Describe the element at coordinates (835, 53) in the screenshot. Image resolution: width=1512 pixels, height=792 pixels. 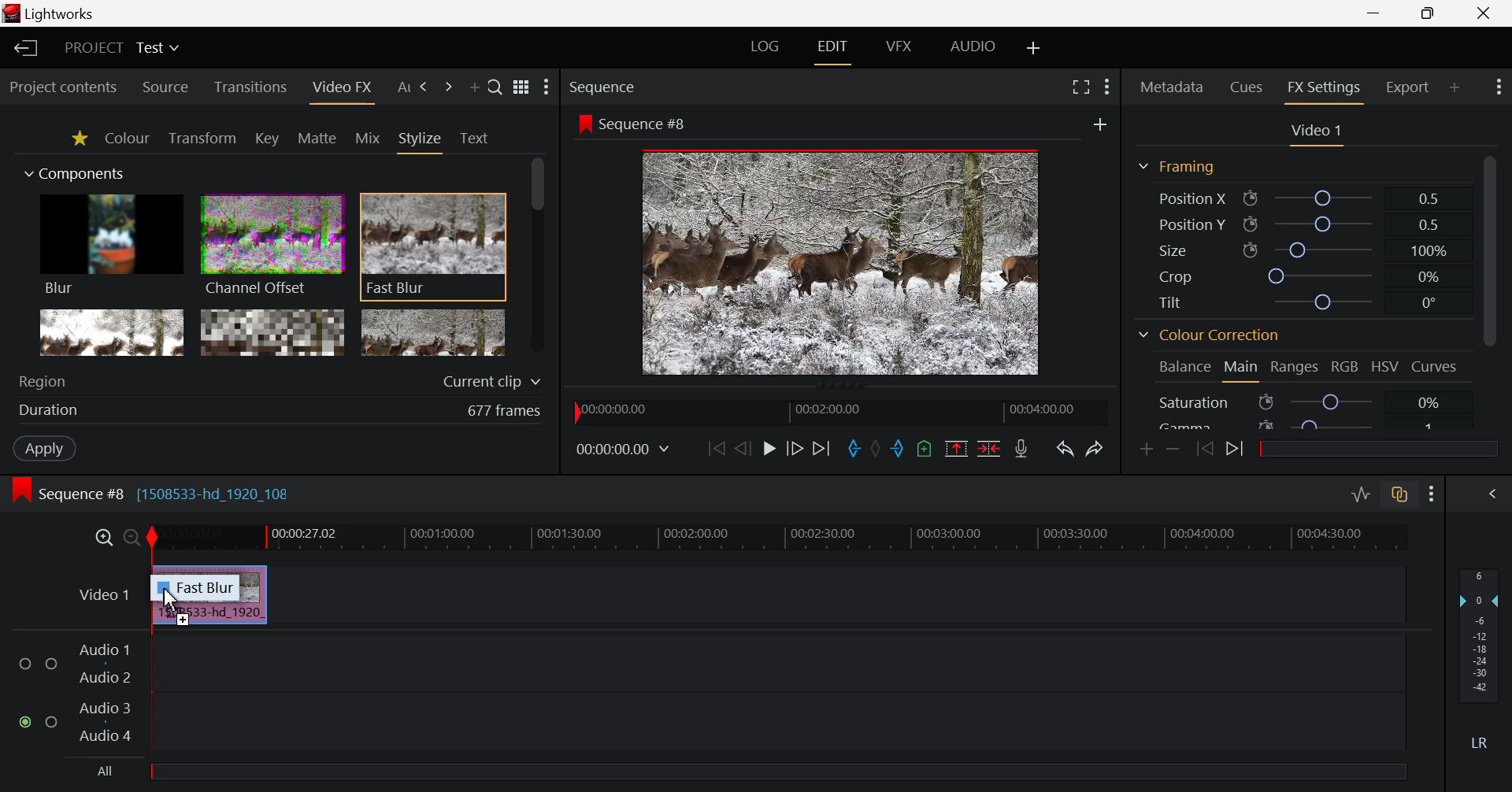
I see `EDIT Layout` at that location.